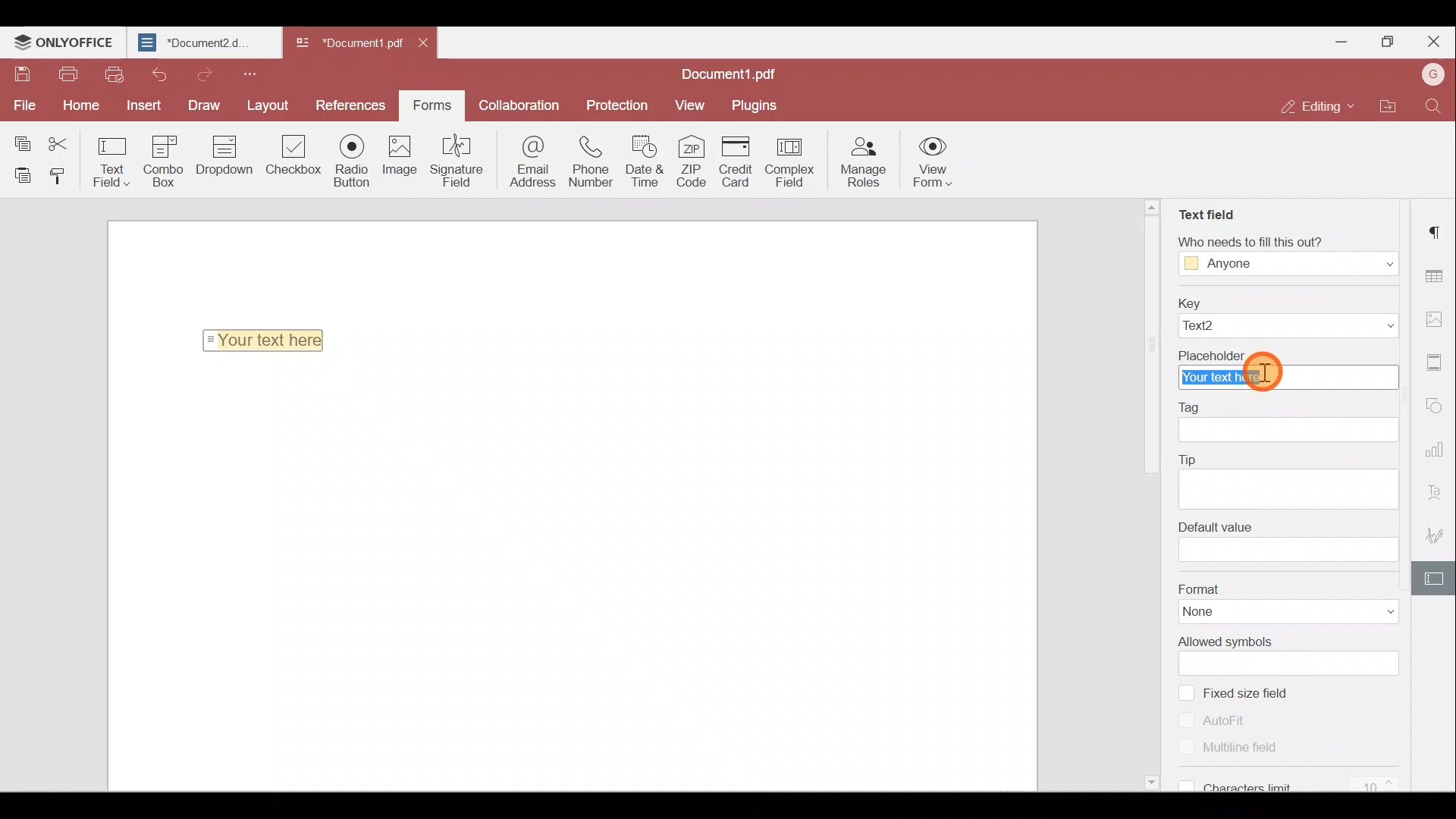  What do you see at coordinates (267, 340) in the screenshot?
I see `Your text here` at bounding box center [267, 340].